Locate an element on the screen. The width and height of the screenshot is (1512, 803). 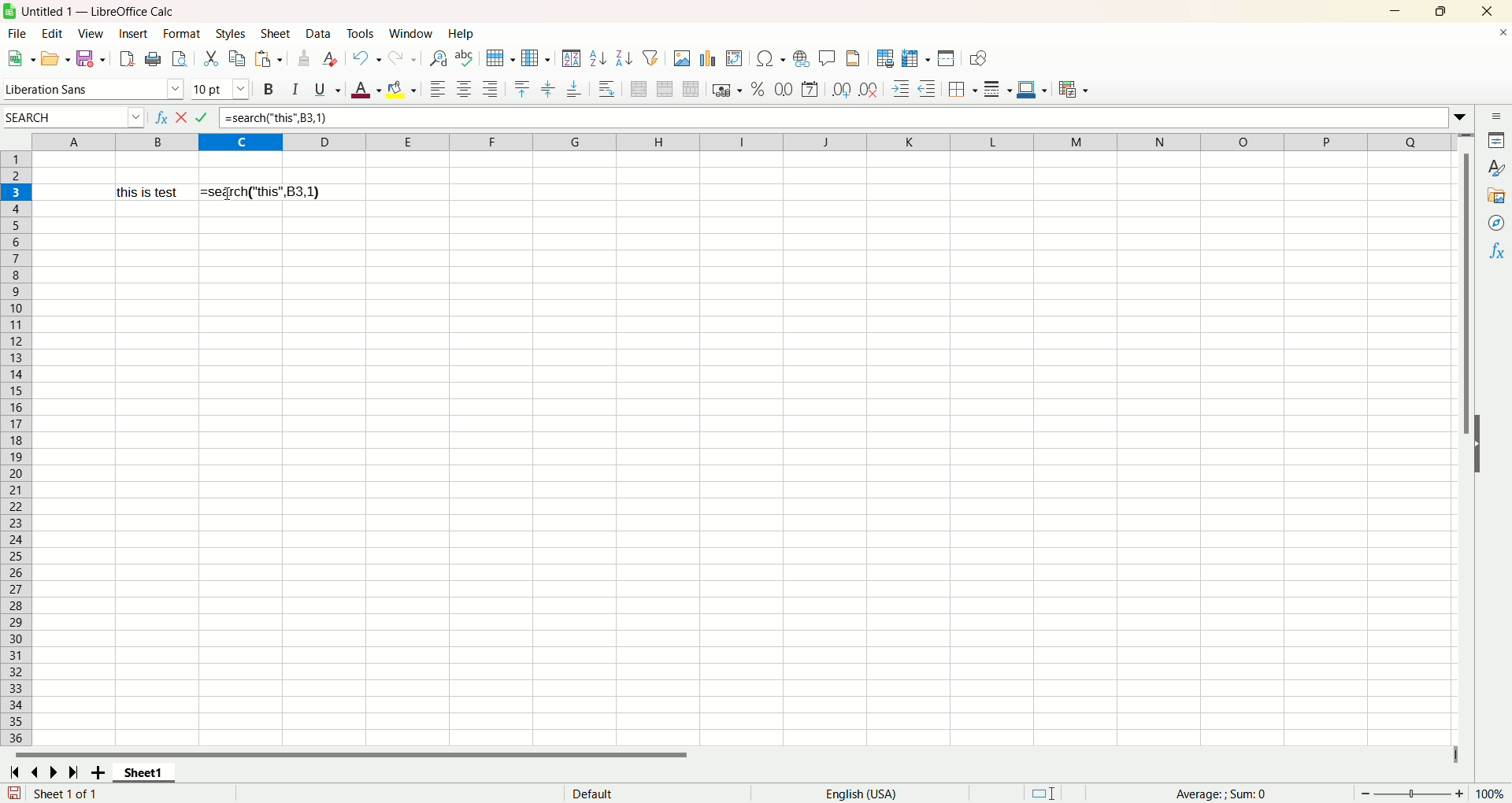
new is located at coordinates (20, 58).